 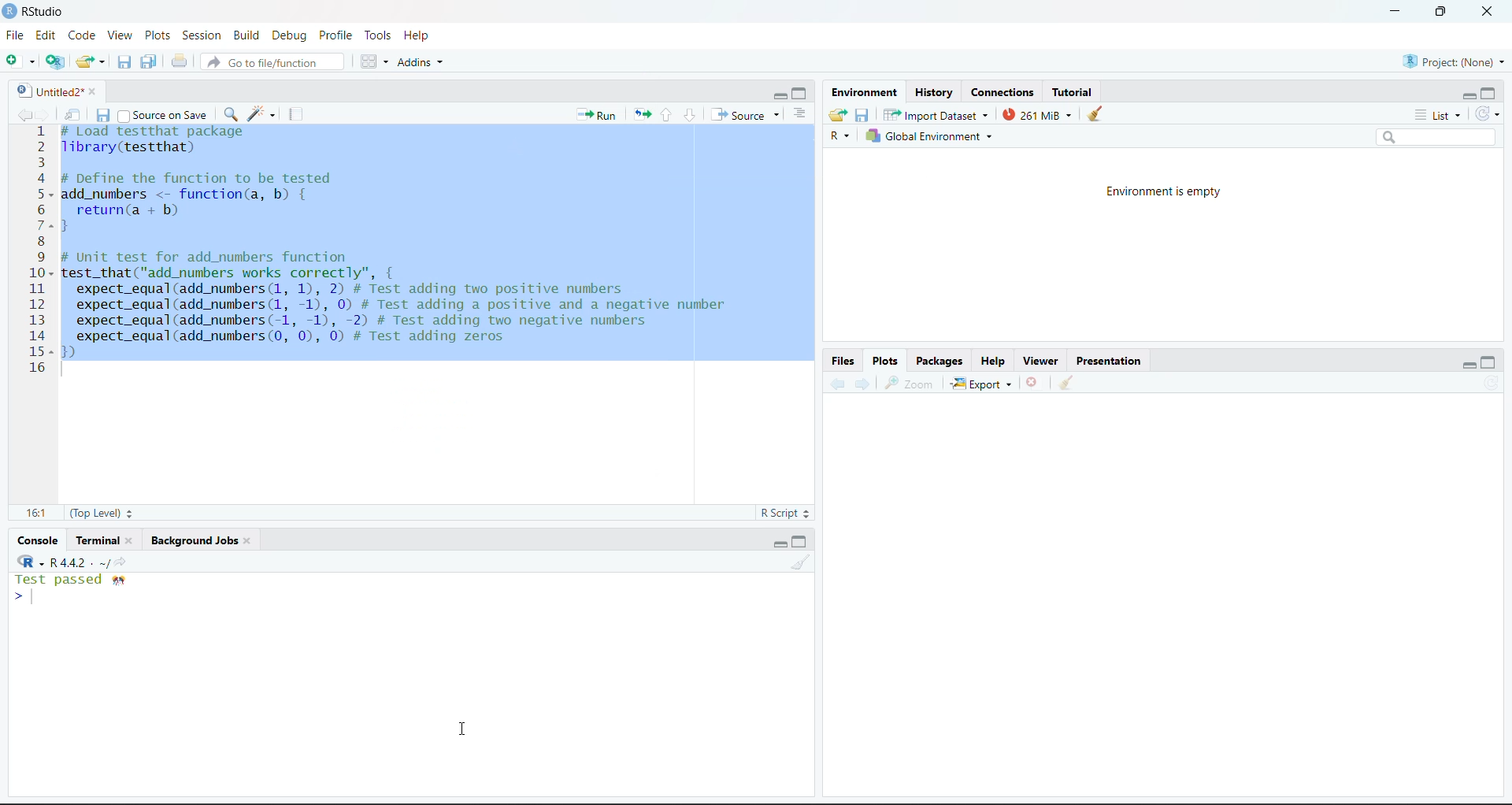 I want to click on Source on save, so click(x=162, y=116).